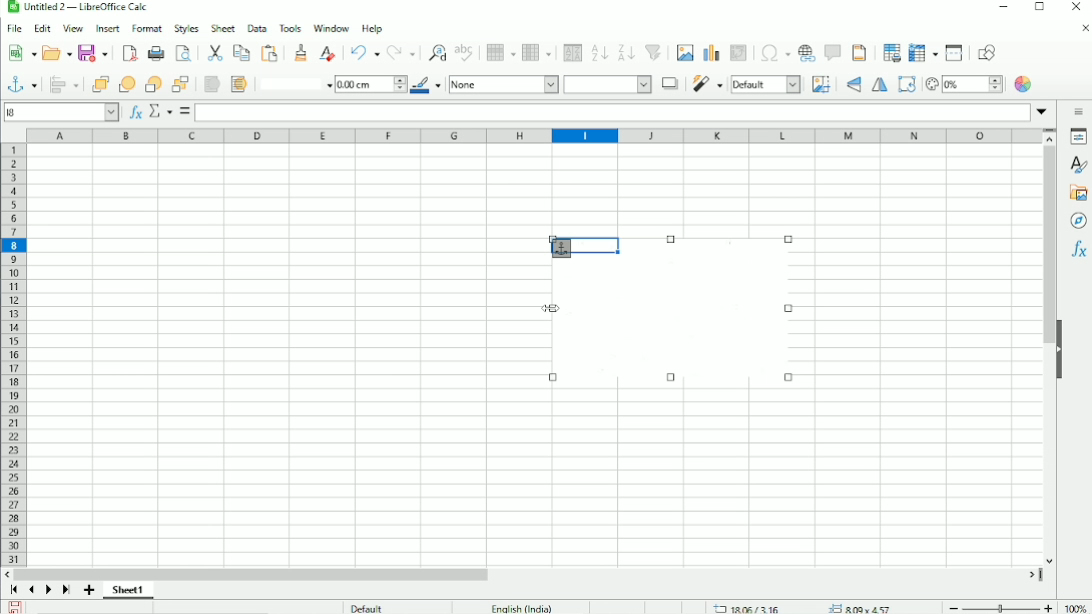  What do you see at coordinates (271, 53) in the screenshot?
I see `Paste` at bounding box center [271, 53].